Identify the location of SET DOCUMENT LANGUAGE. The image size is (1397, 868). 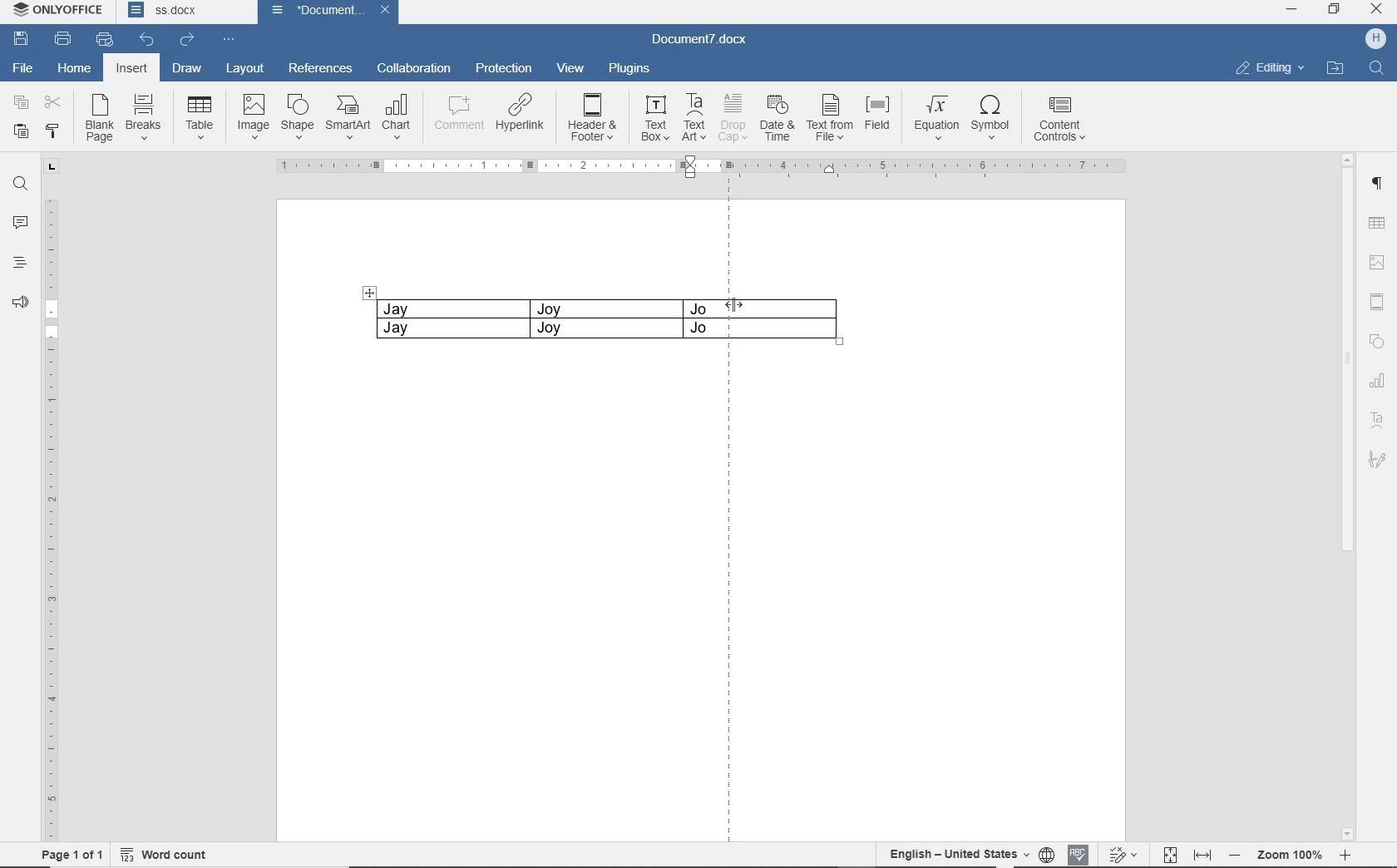
(1049, 852).